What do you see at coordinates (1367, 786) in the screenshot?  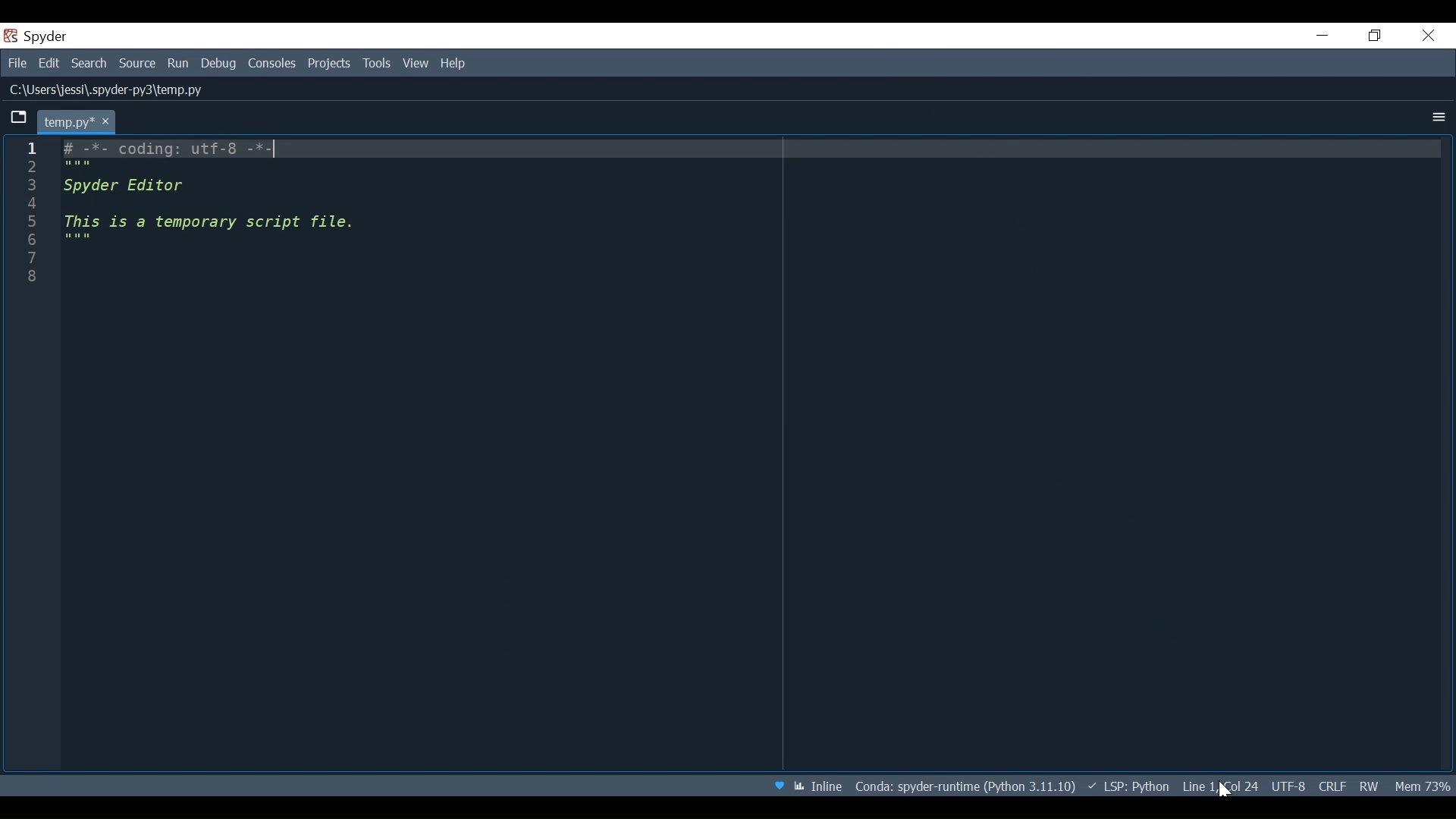 I see `File permission` at bounding box center [1367, 786].